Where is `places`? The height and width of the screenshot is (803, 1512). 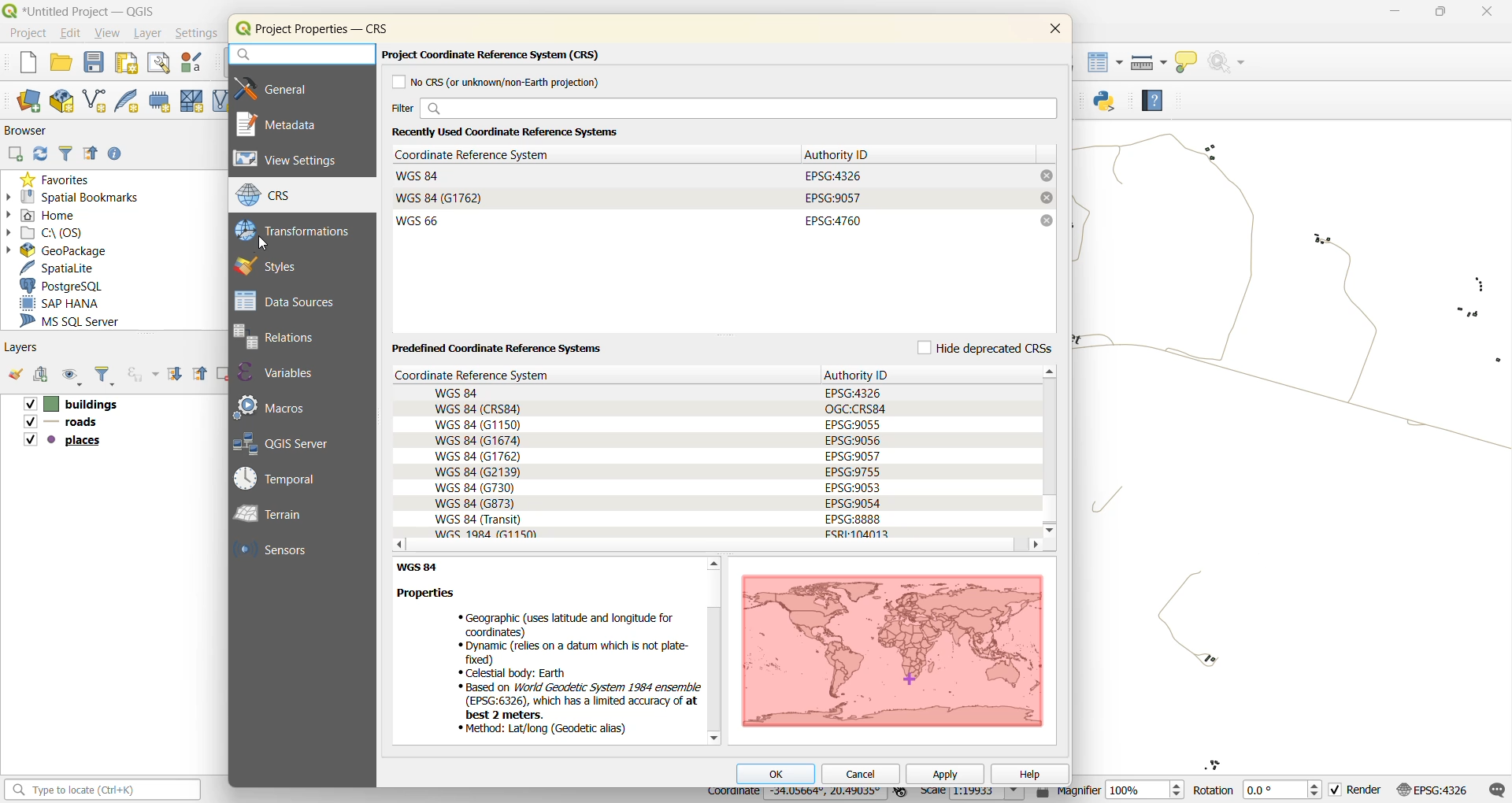
places is located at coordinates (65, 441).